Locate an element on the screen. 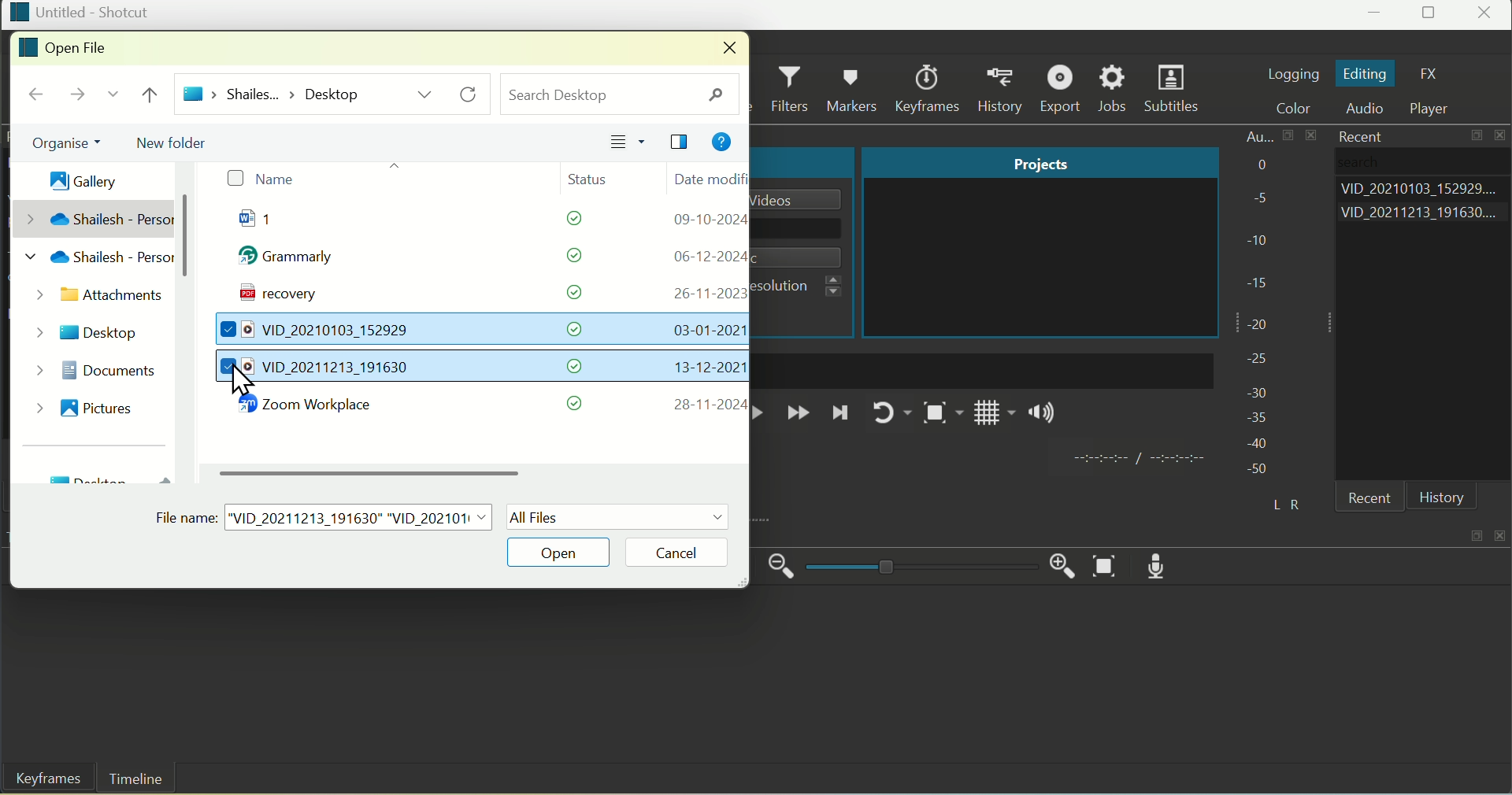 The height and width of the screenshot is (795, 1512). Snapshot is located at coordinates (940, 416).